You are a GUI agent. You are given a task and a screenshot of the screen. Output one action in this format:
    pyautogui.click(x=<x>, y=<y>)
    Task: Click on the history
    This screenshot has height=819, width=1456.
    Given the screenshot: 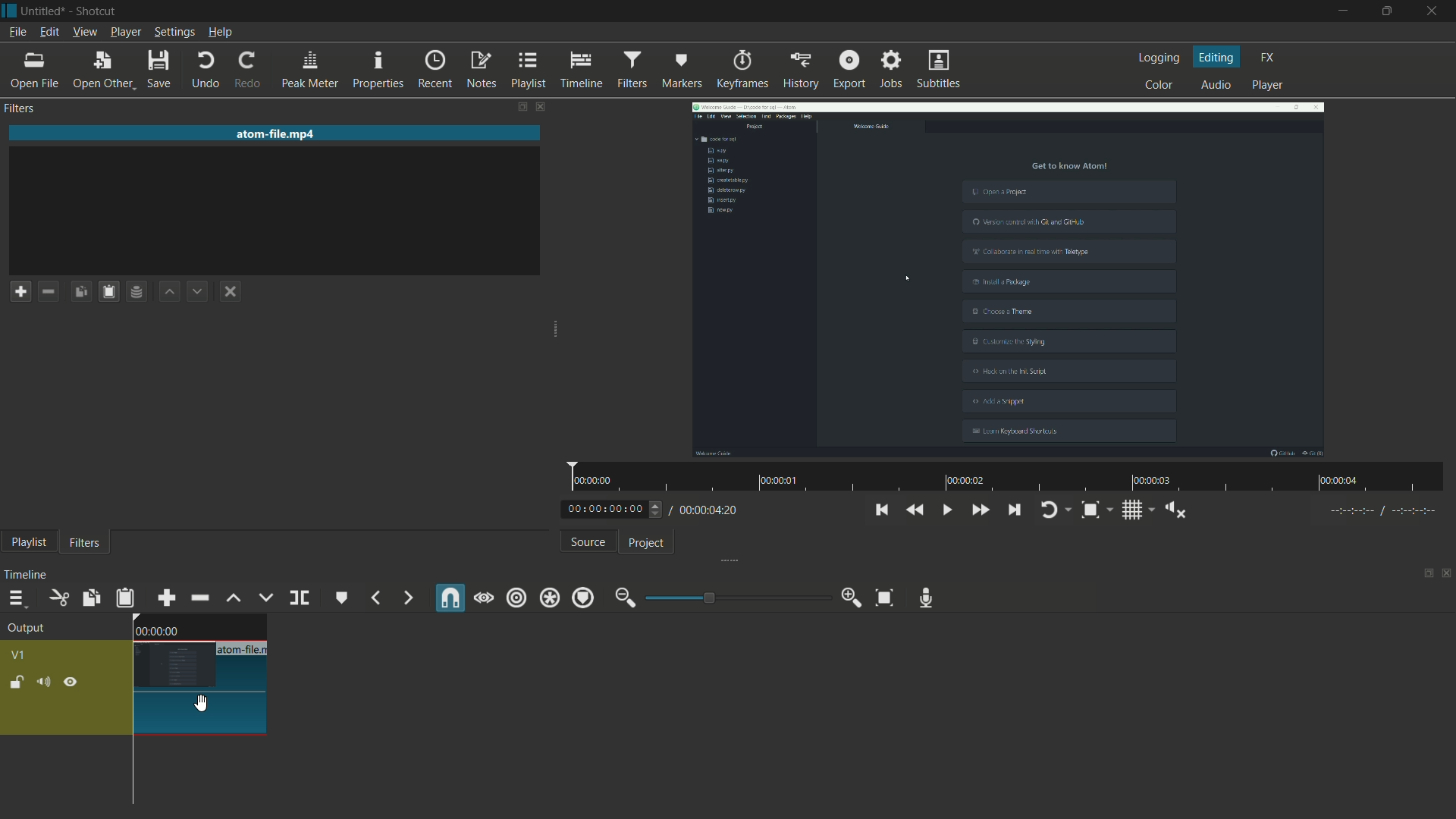 What is the action you would take?
    pyautogui.click(x=802, y=68)
    